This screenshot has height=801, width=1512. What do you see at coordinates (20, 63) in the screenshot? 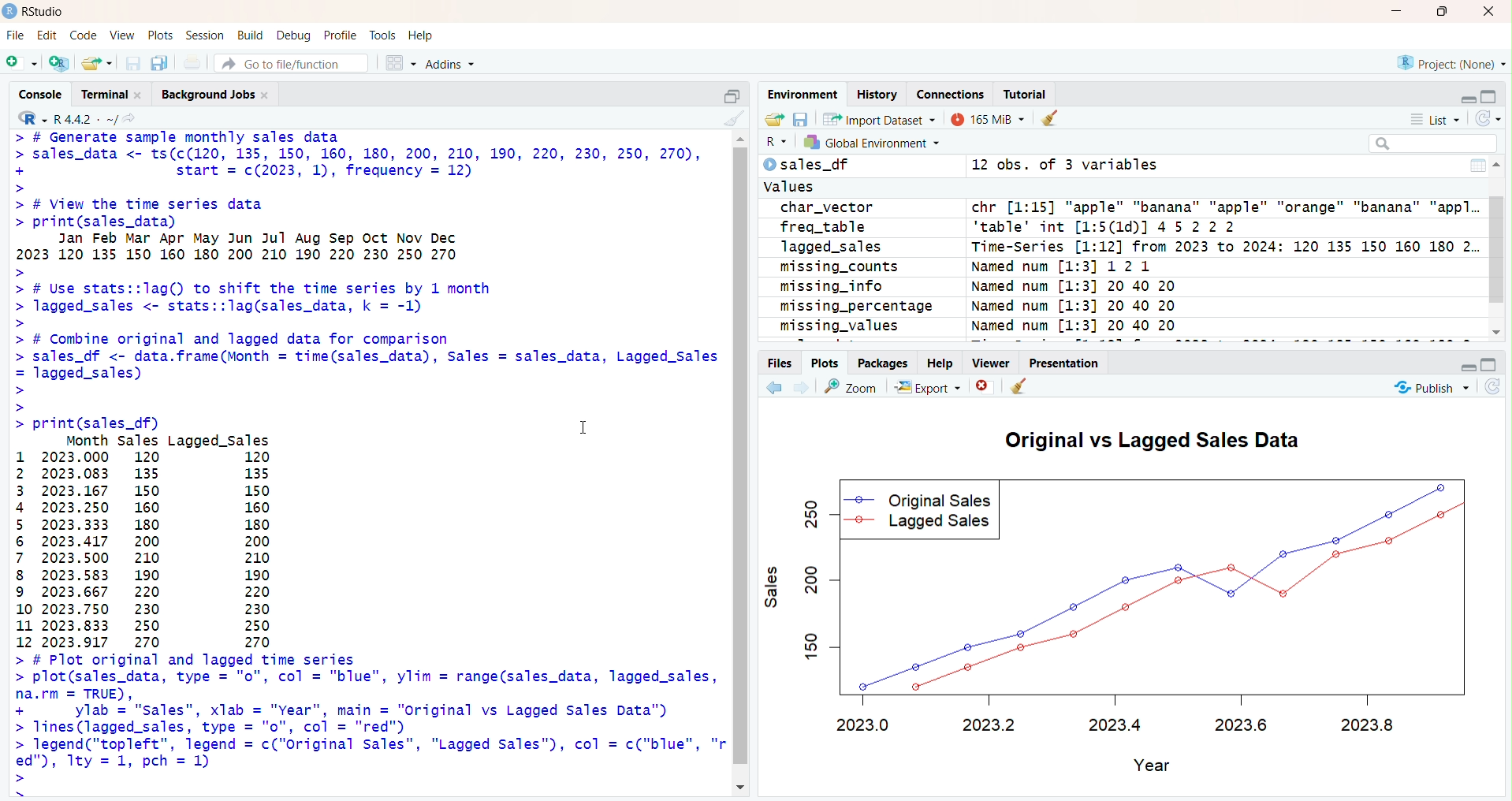
I see `new script` at bounding box center [20, 63].